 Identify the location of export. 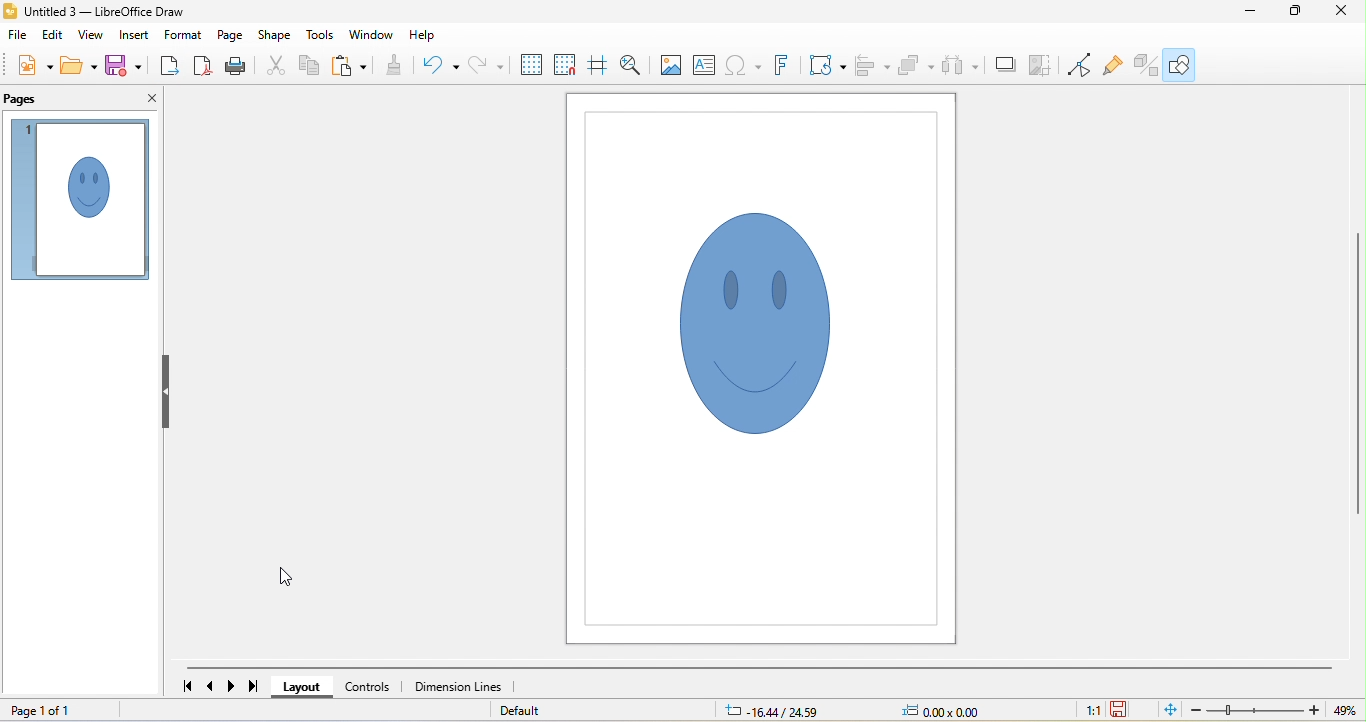
(172, 64).